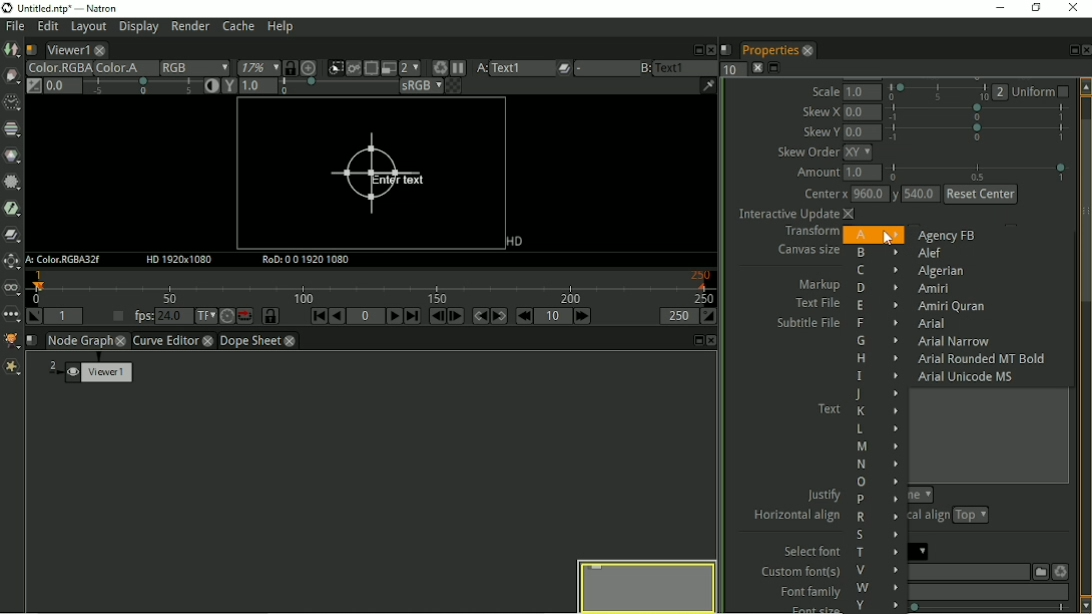  What do you see at coordinates (713, 341) in the screenshot?
I see `Close` at bounding box center [713, 341].